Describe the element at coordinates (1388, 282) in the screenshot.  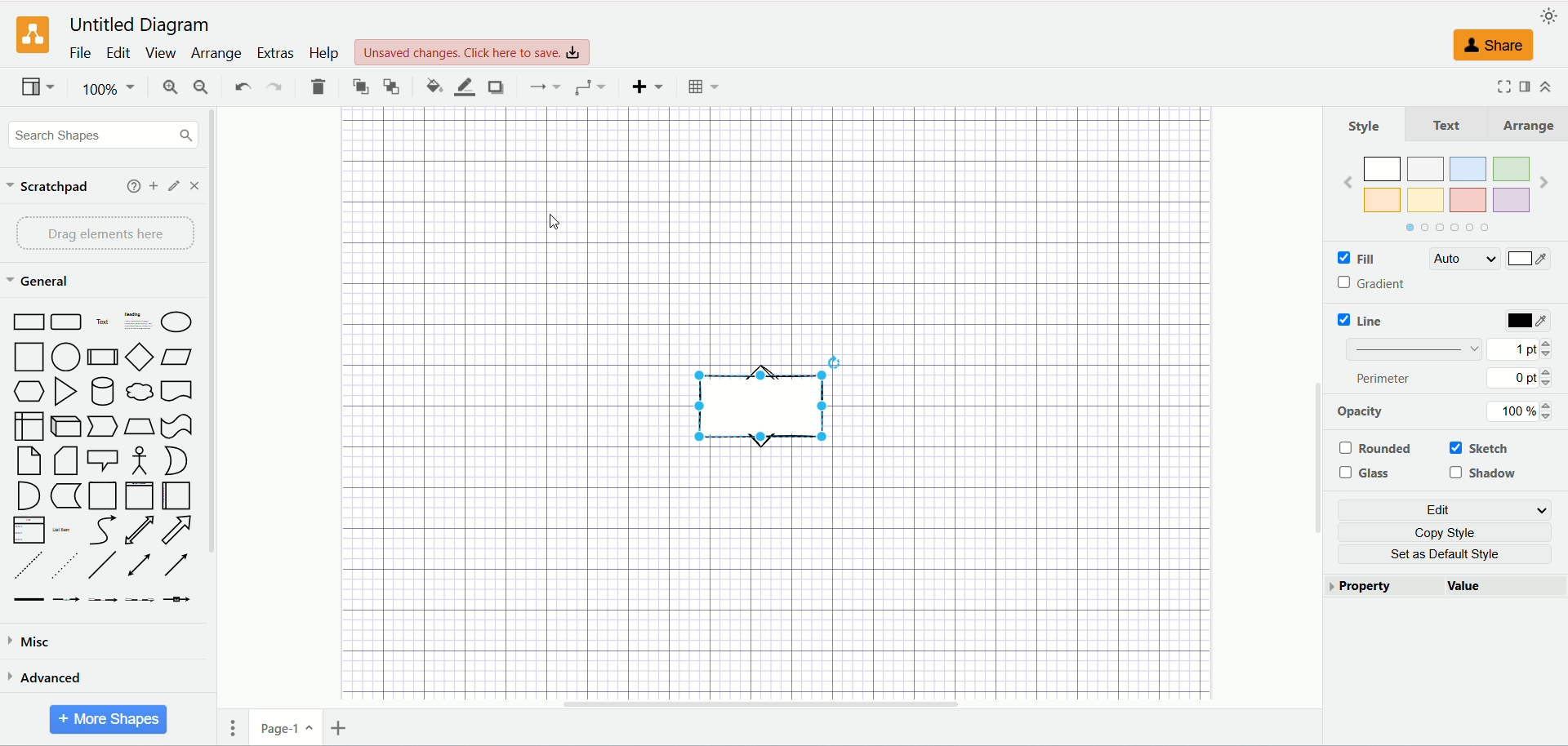
I see `gradient` at that location.